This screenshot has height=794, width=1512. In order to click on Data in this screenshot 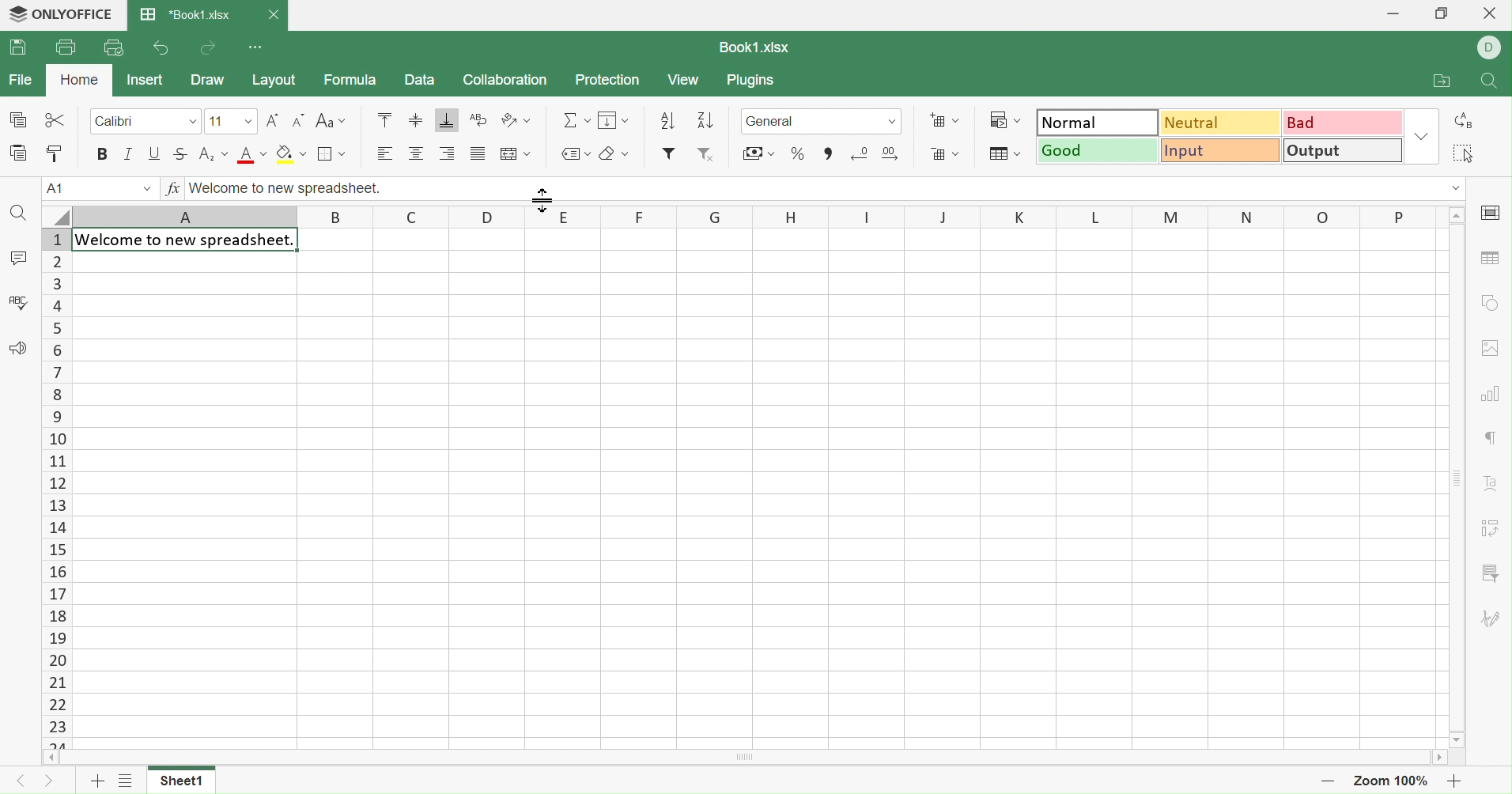, I will do `click(419, 81)`.